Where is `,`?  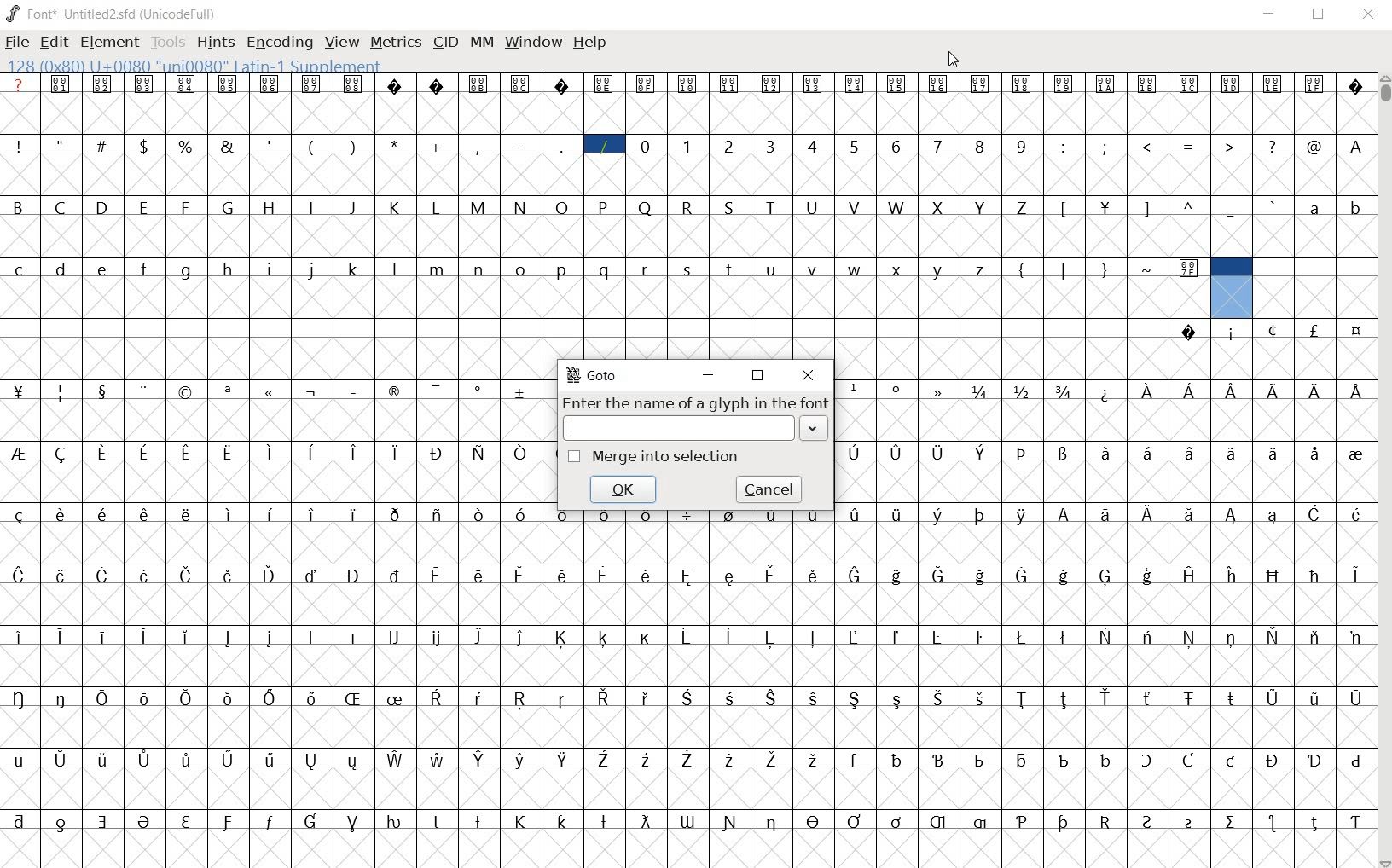
, is located at coordinates (478, 148).